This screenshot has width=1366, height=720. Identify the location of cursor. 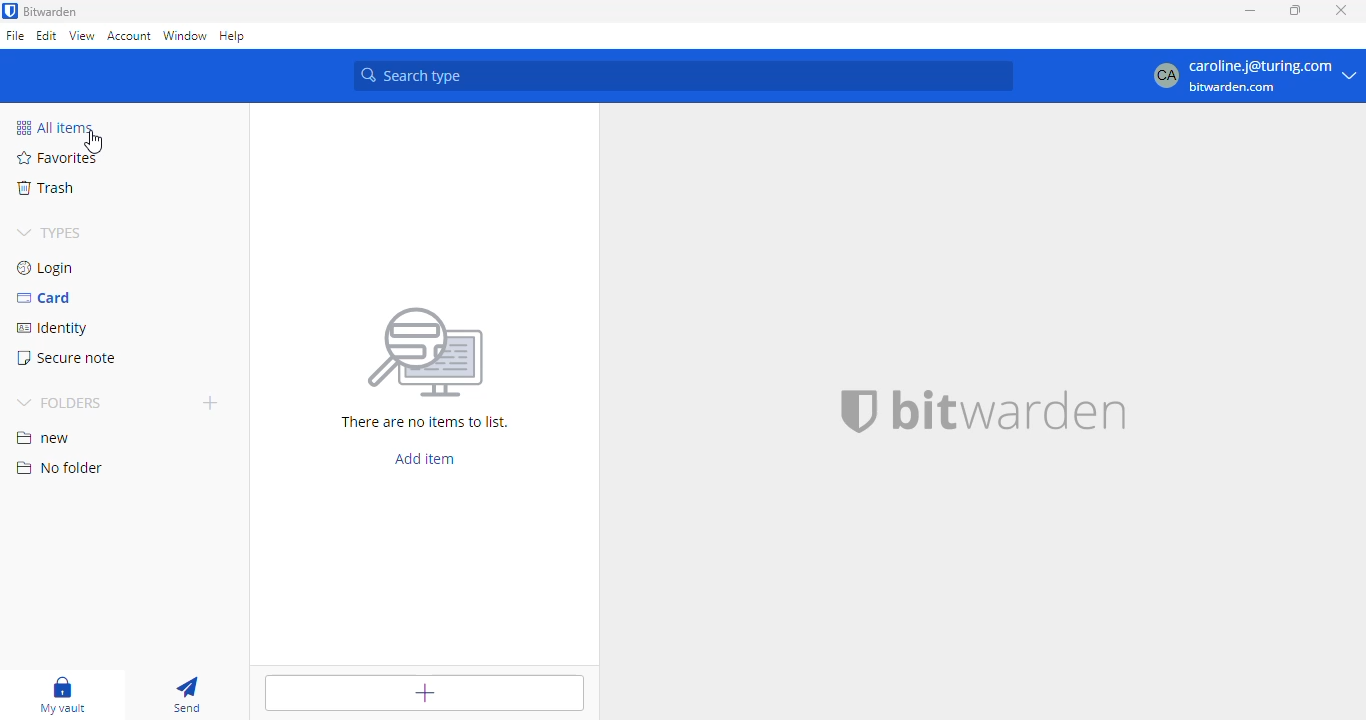
(94, 142).